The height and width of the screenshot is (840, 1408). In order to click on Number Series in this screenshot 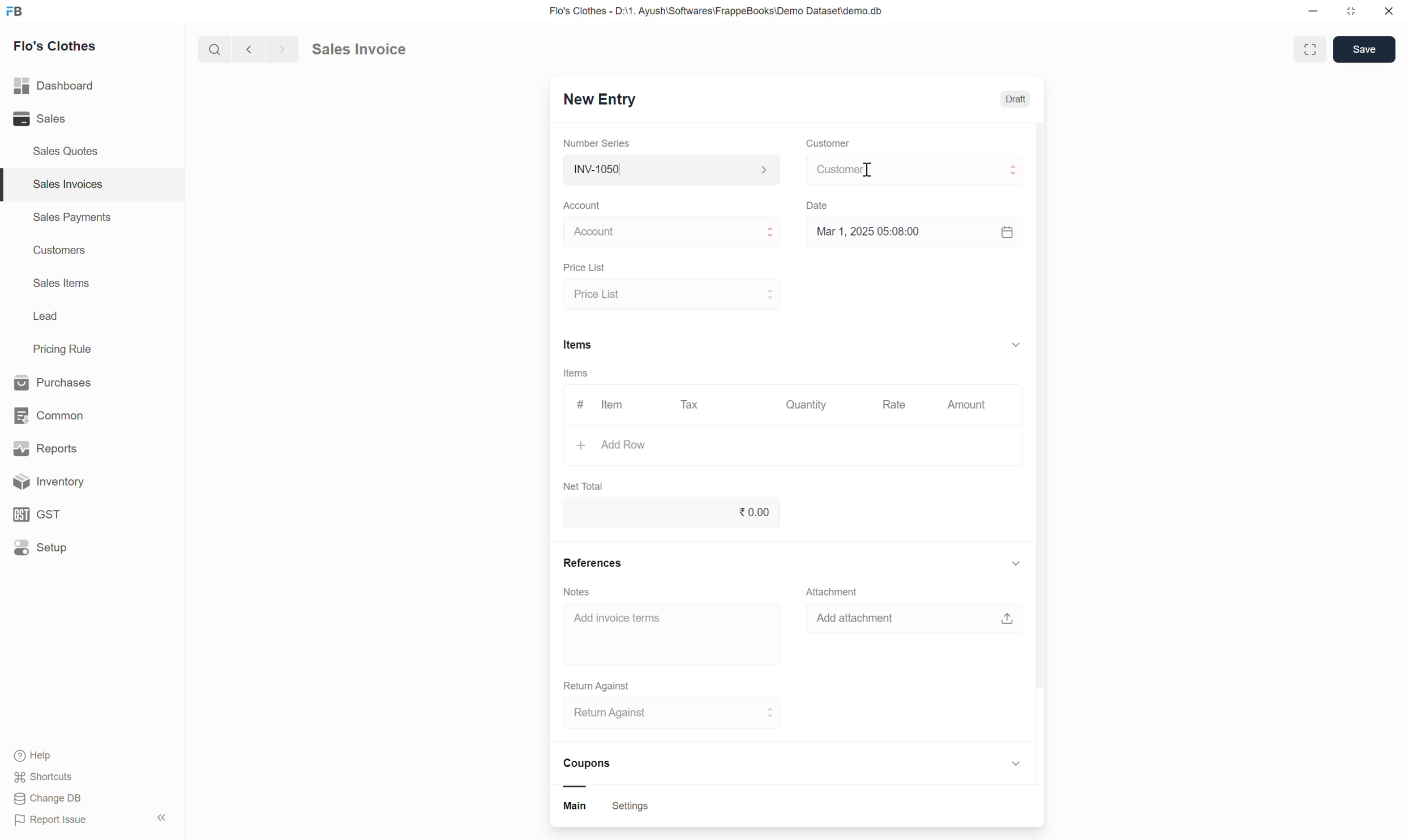, I will do `click(598, 144)`.